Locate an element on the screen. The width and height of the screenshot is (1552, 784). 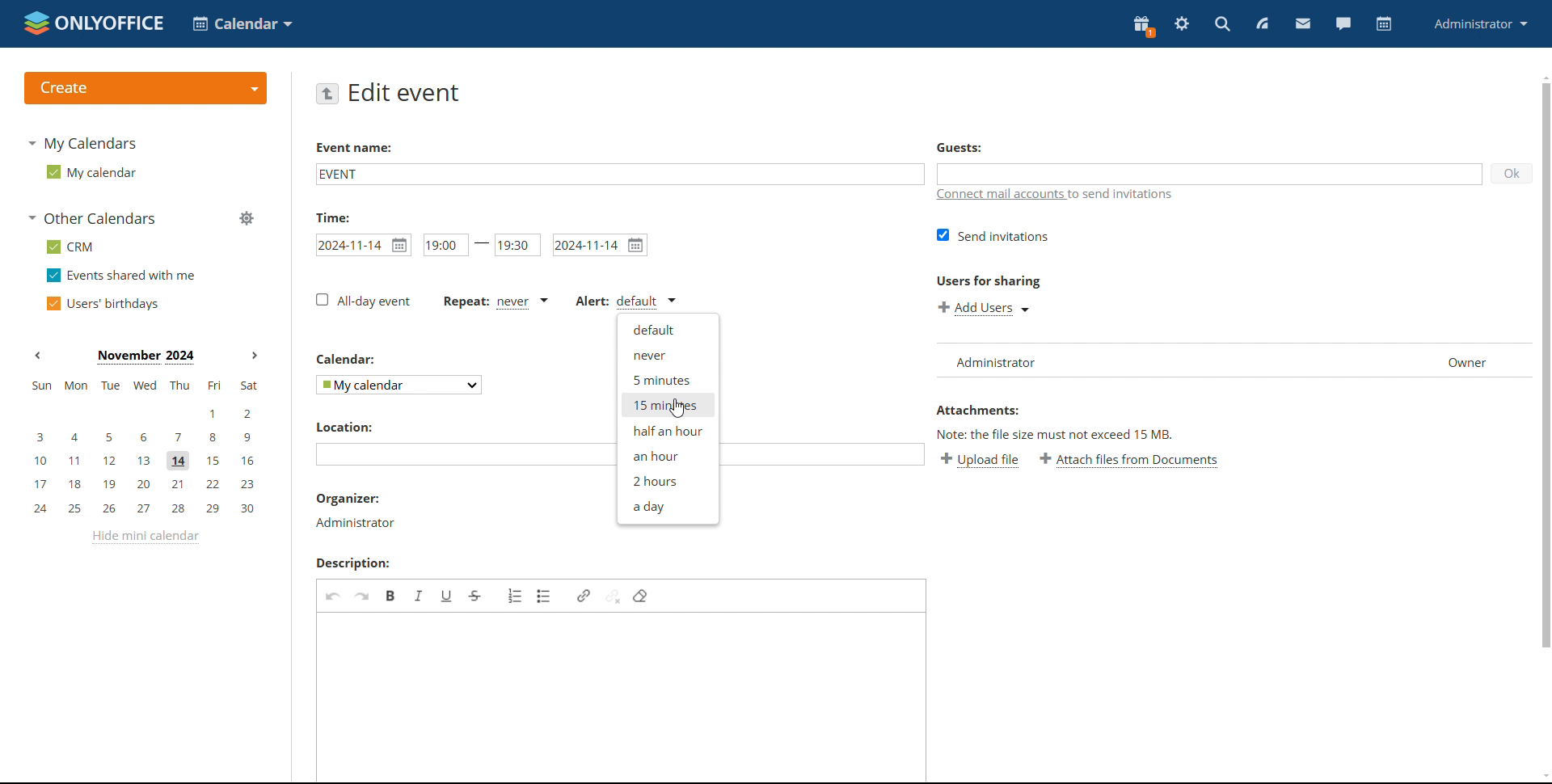
italic is located at coordinates (419, 595).